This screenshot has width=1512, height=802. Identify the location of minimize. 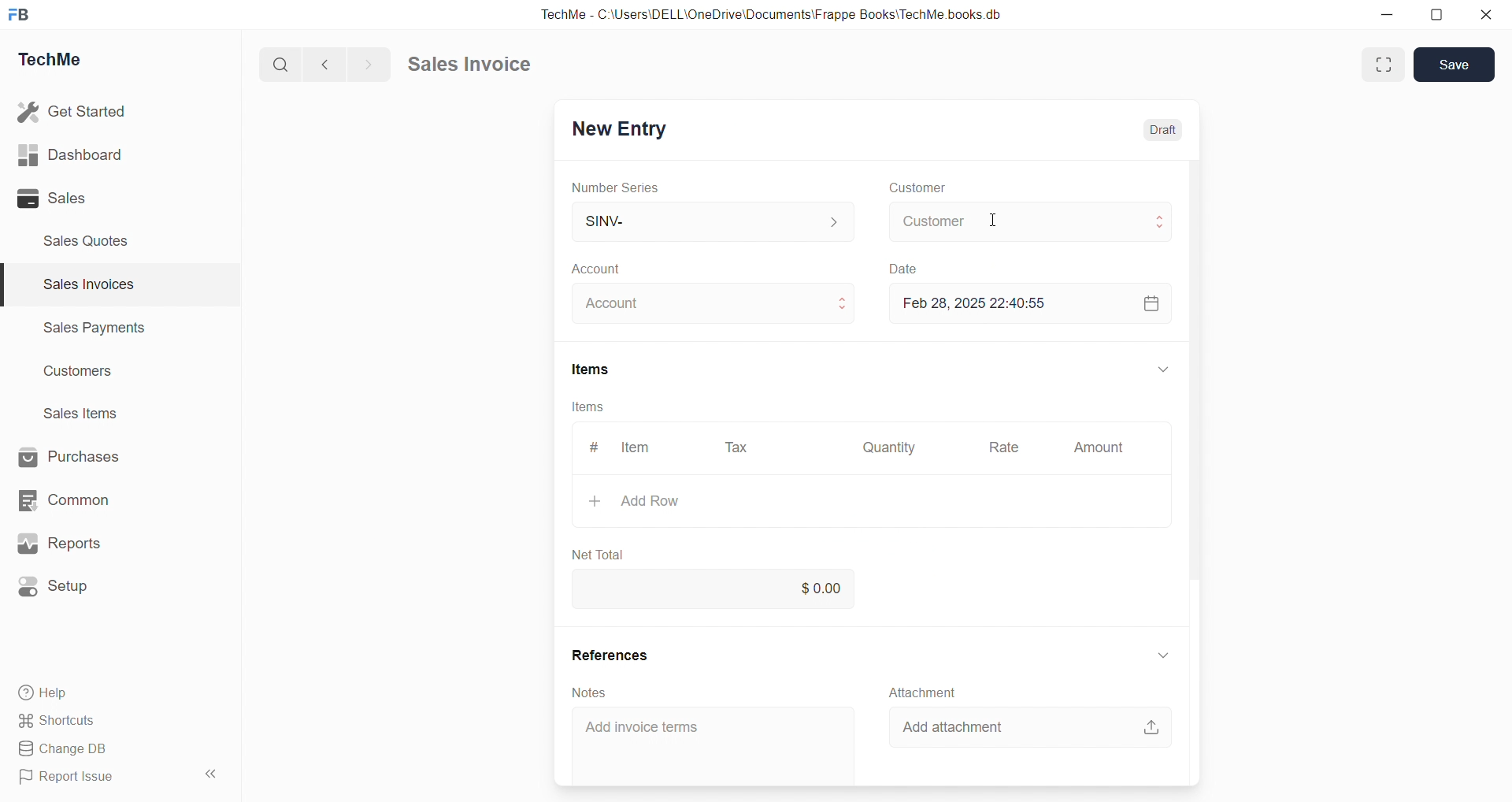
(1386, 14).